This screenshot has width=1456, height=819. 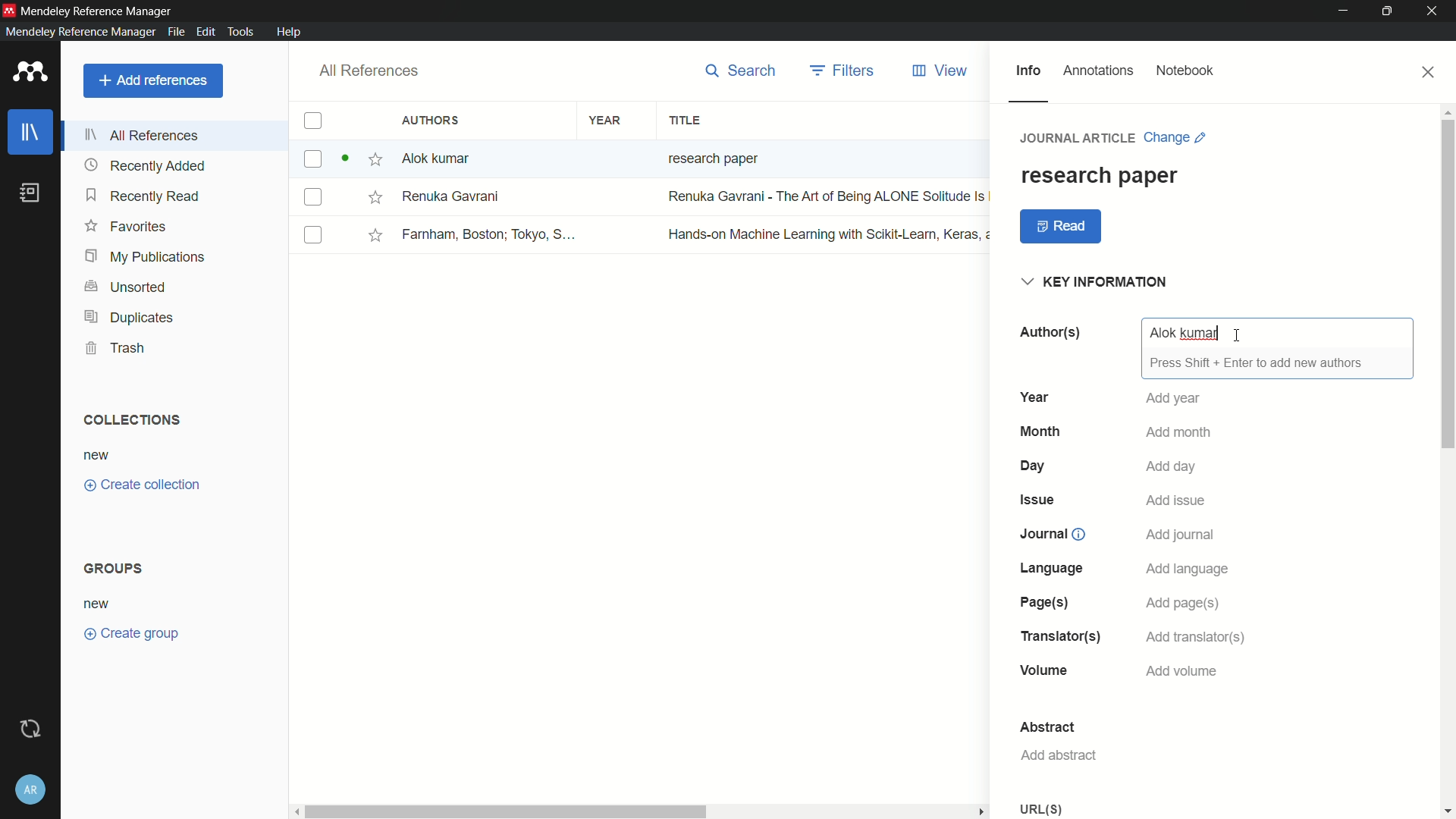 What do you see at coordinates (145, 166) in the screenshot?
I see `recently added` at bounding box center [145, 166].